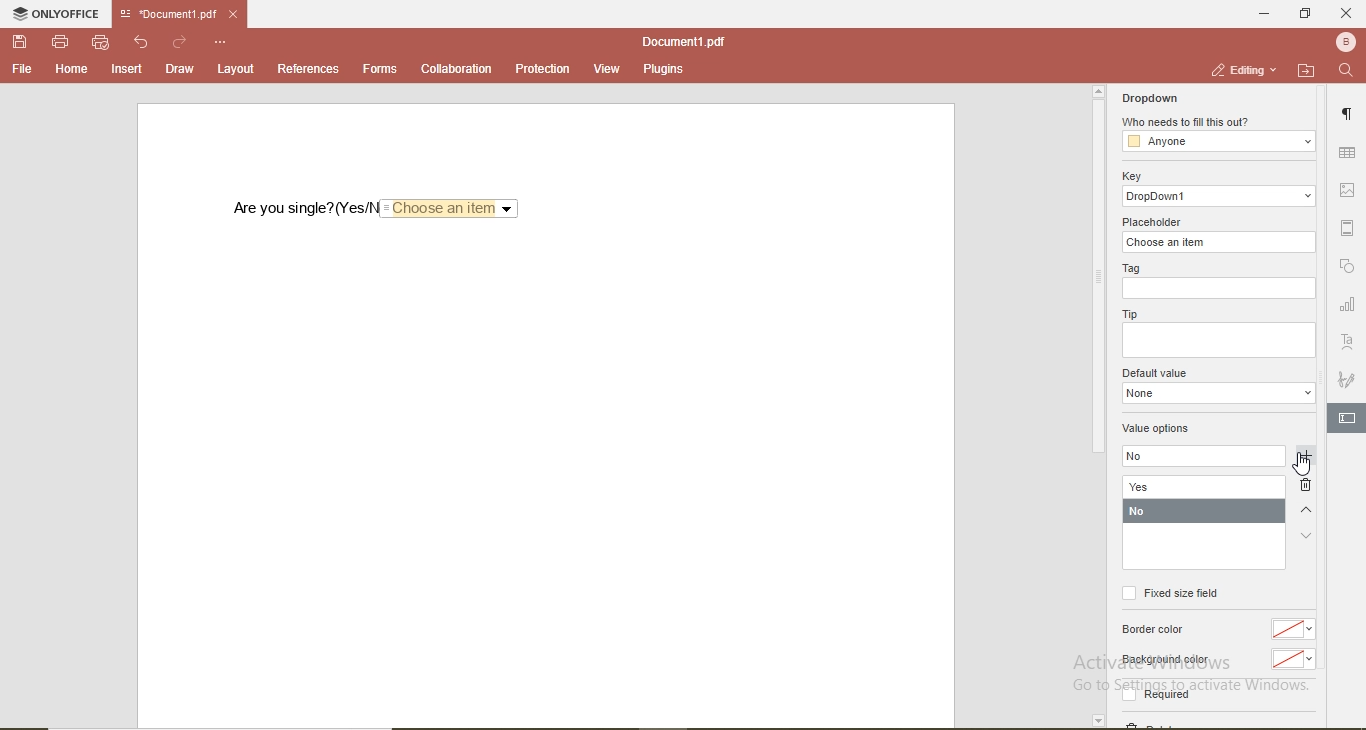 The width and height of the screenshot is (1366, 730). What do you see at coordinates (1346, 154) in the screenshot?
I see `table` at bounding box center [1346, 154].